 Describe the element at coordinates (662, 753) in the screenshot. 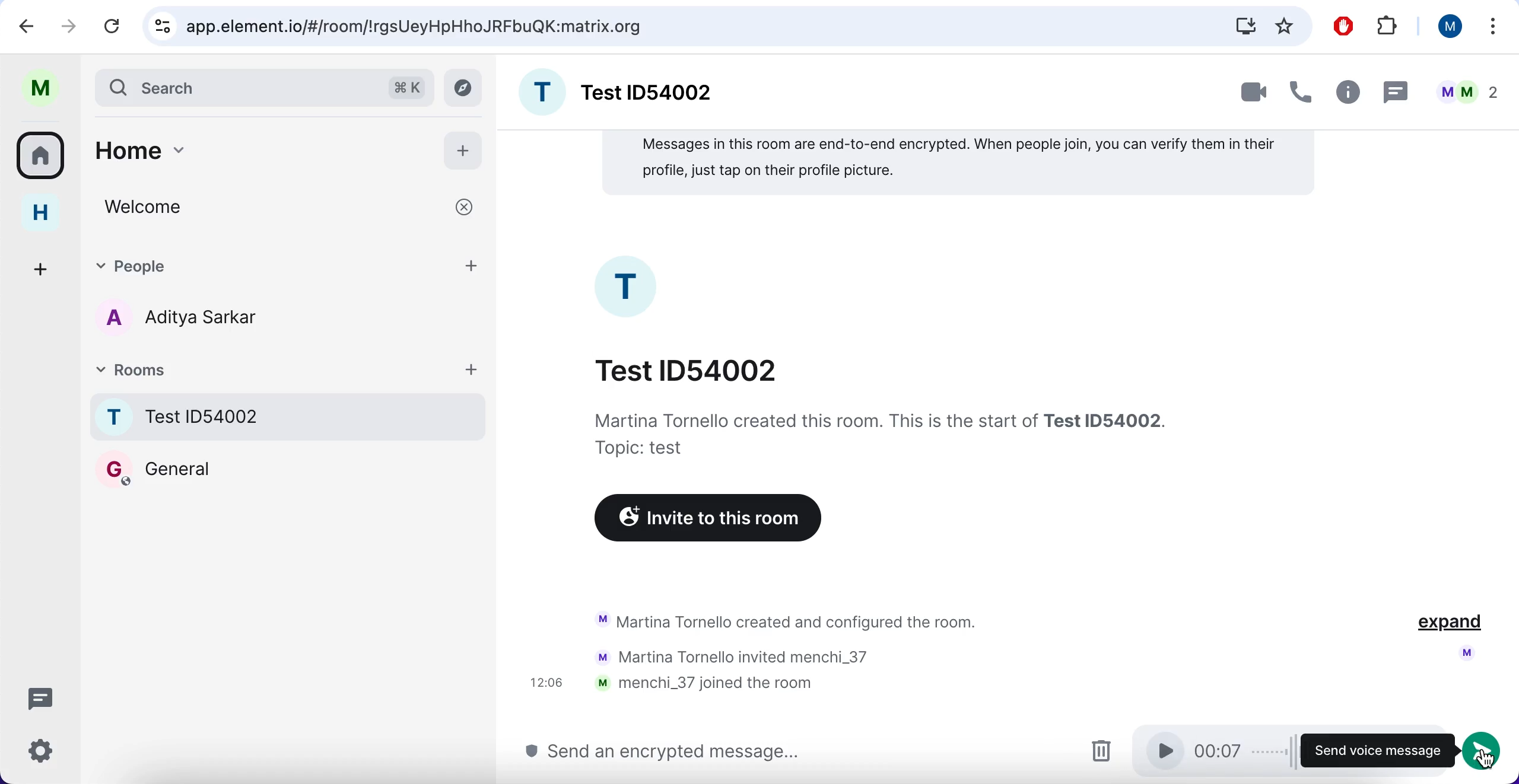

I see `send an encrypted message` at that location.